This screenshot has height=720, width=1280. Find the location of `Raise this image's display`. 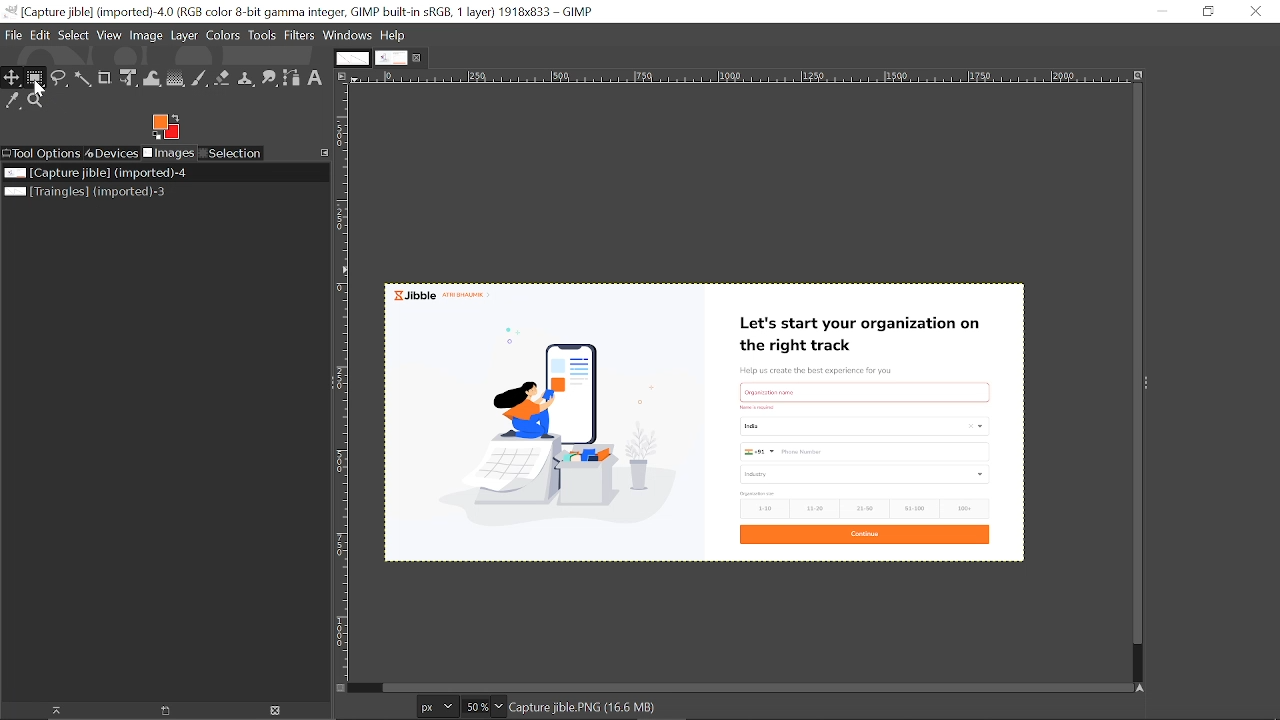

Raise this image's display is located at coordinates (58, 711).